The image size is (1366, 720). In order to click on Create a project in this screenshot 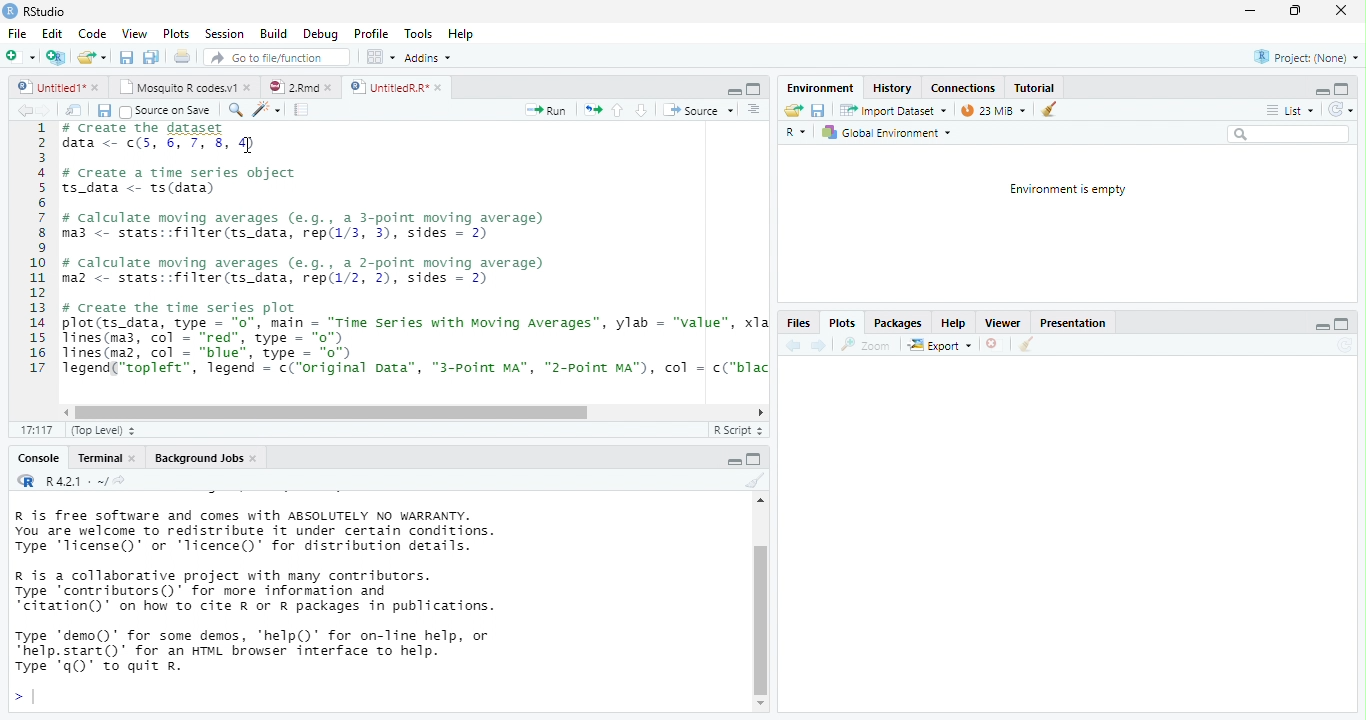, I will do `click(55, 57)`.